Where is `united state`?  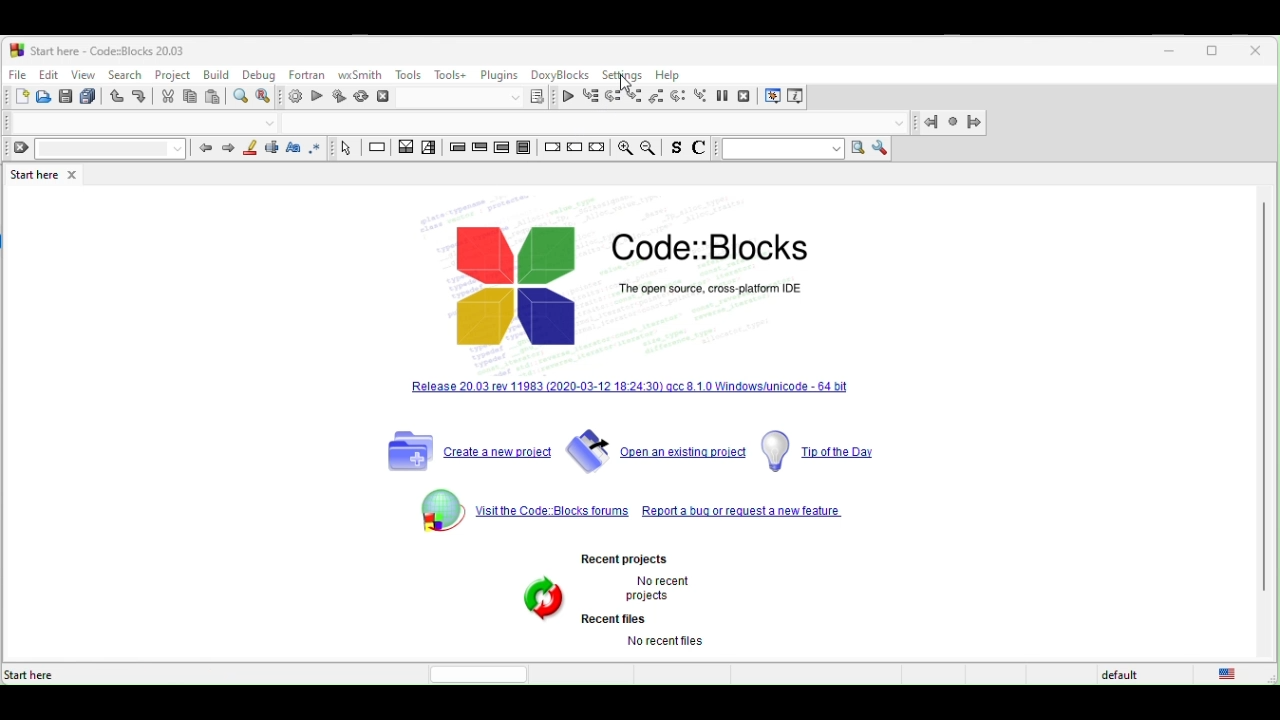
united state is located at coordinates (1232, 674).